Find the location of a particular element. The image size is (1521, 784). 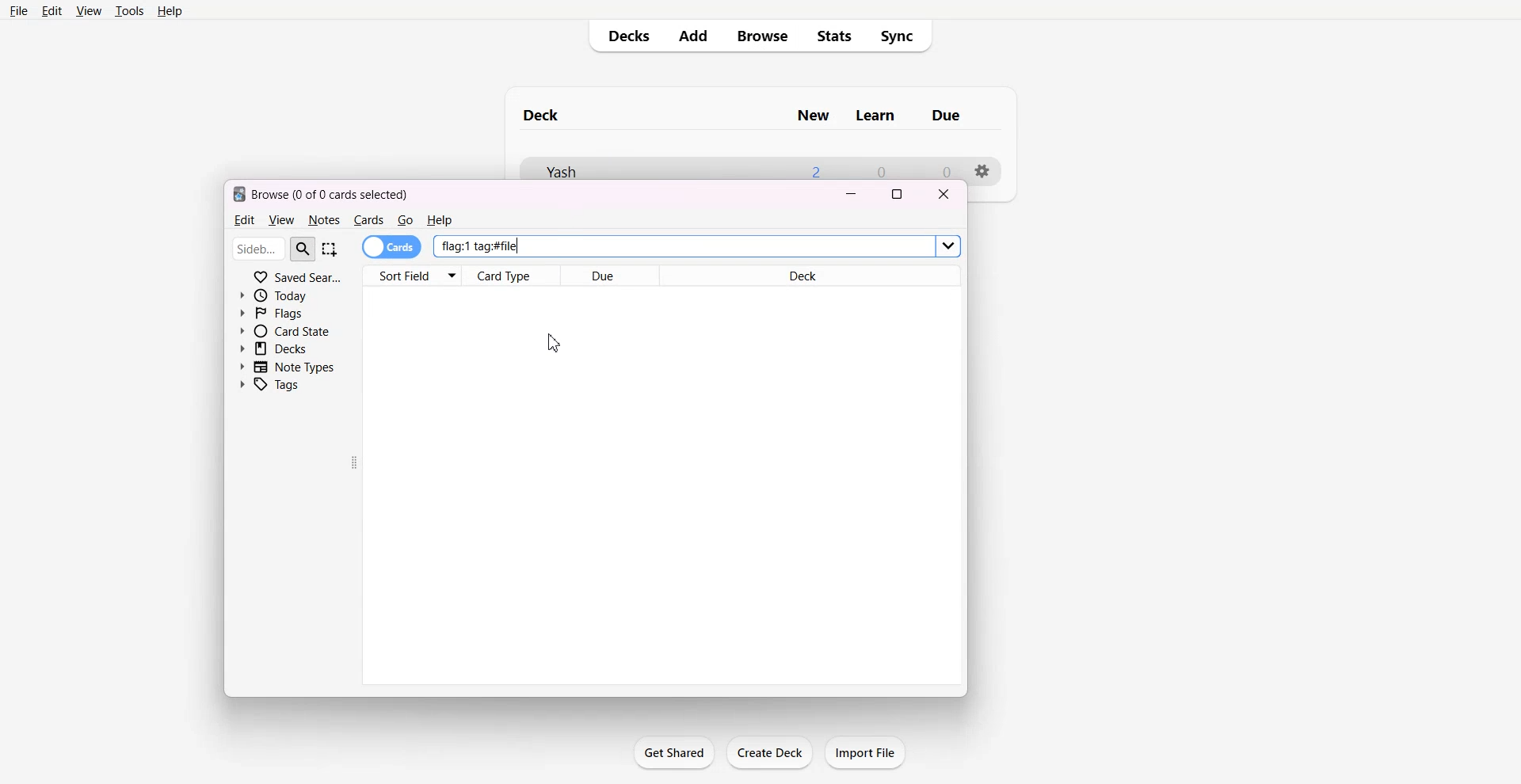

Tools is located at coordinates (128, 10).